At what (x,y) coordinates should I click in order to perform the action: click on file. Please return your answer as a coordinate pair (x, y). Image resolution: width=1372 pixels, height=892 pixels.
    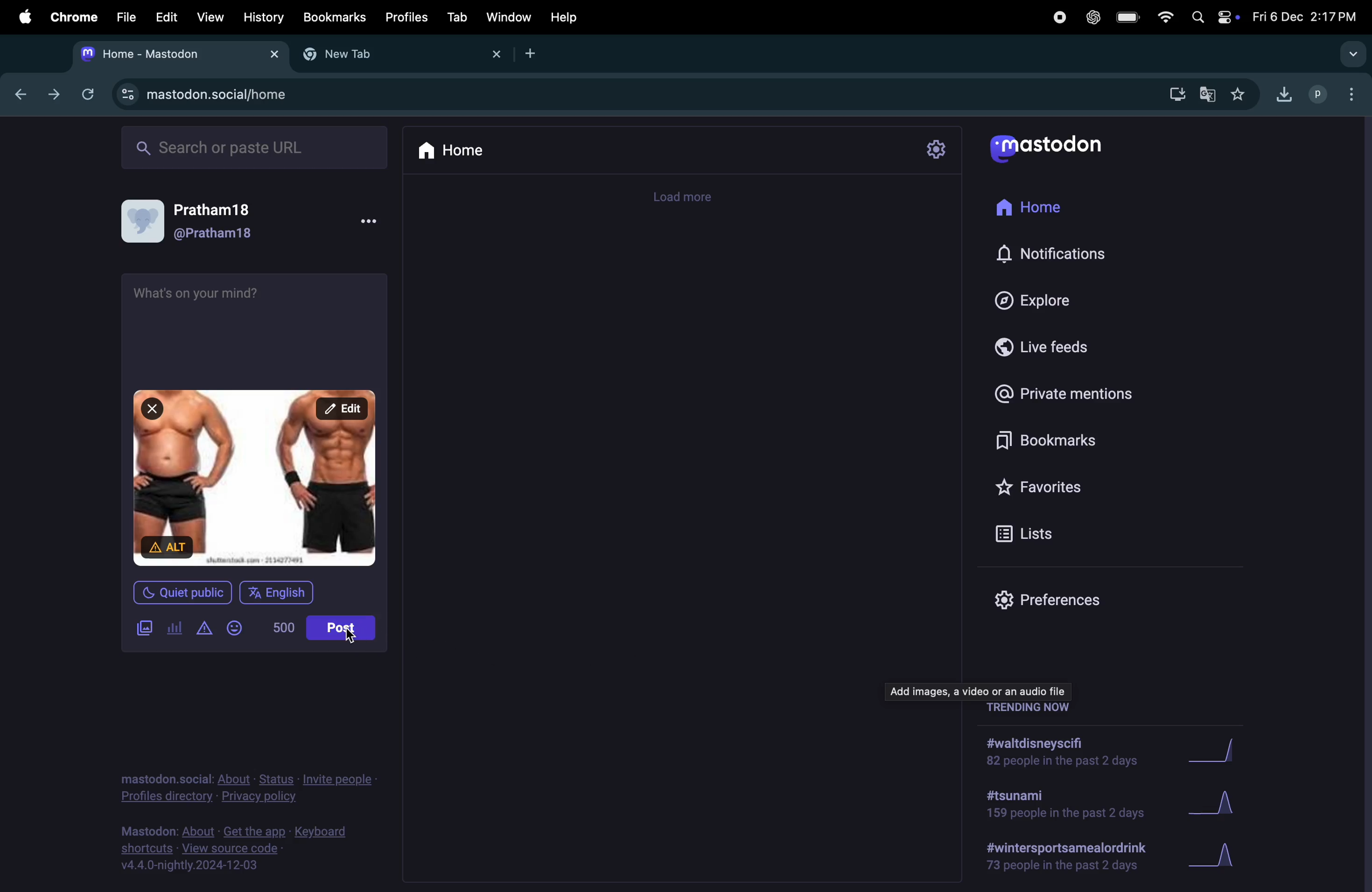
    Looking at the image, I should click on (126, 18).